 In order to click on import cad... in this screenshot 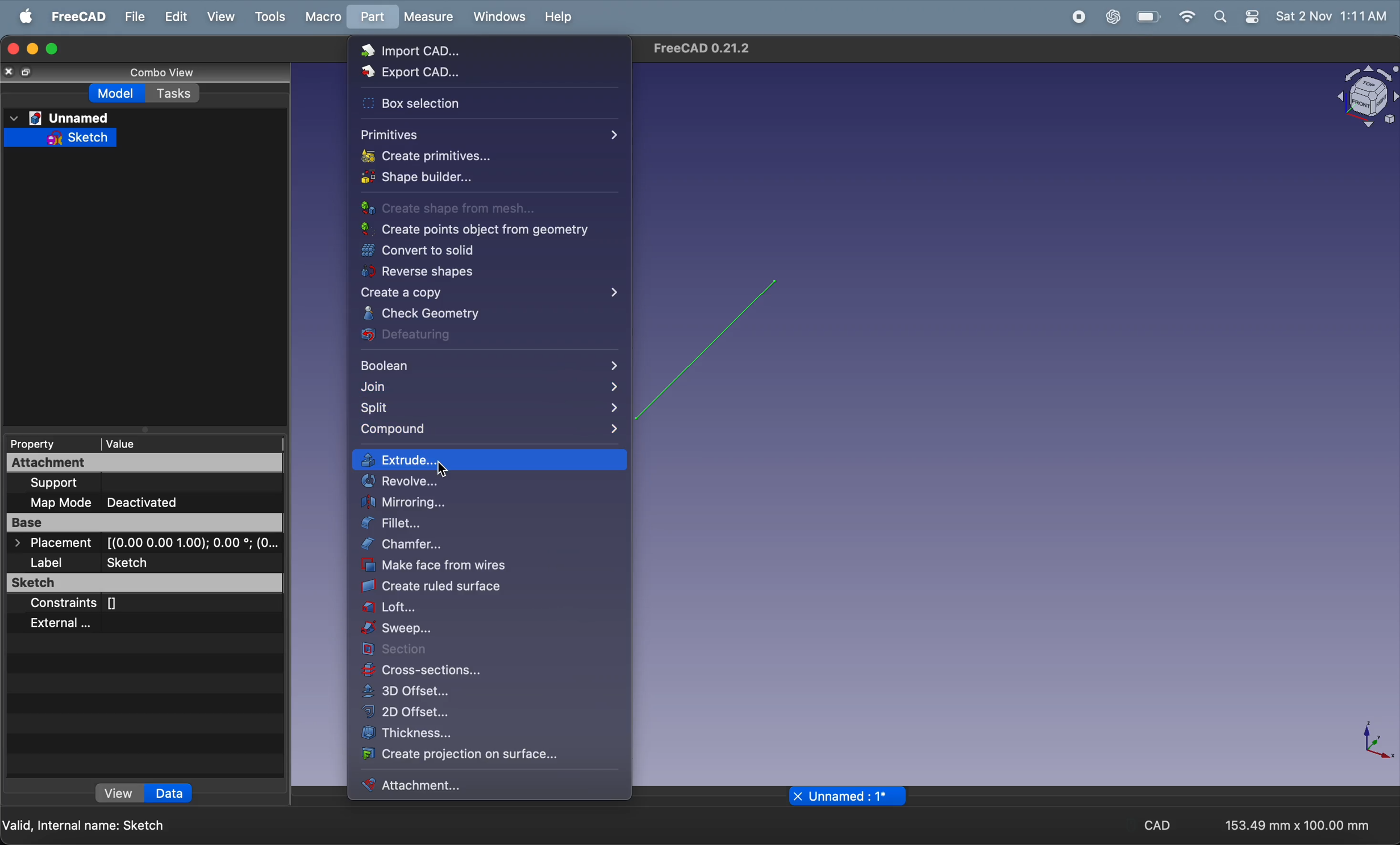, I will do `click(492, 52)`.